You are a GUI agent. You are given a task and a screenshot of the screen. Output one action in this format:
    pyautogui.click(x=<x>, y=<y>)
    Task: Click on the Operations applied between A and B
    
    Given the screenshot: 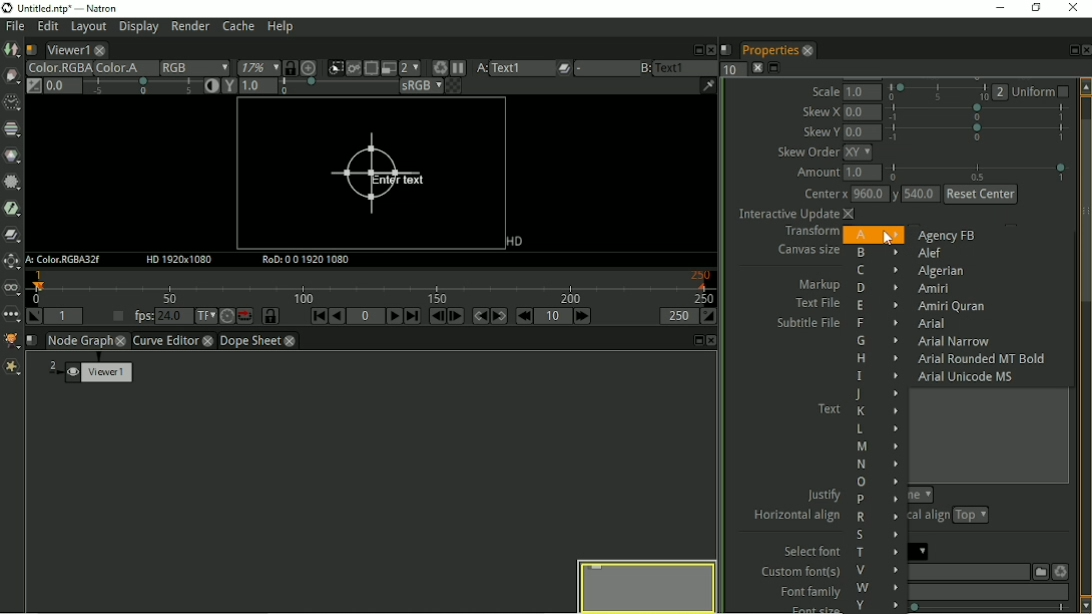 What is the action you would take?
    pyautogui.click(x=564, y=68)
    